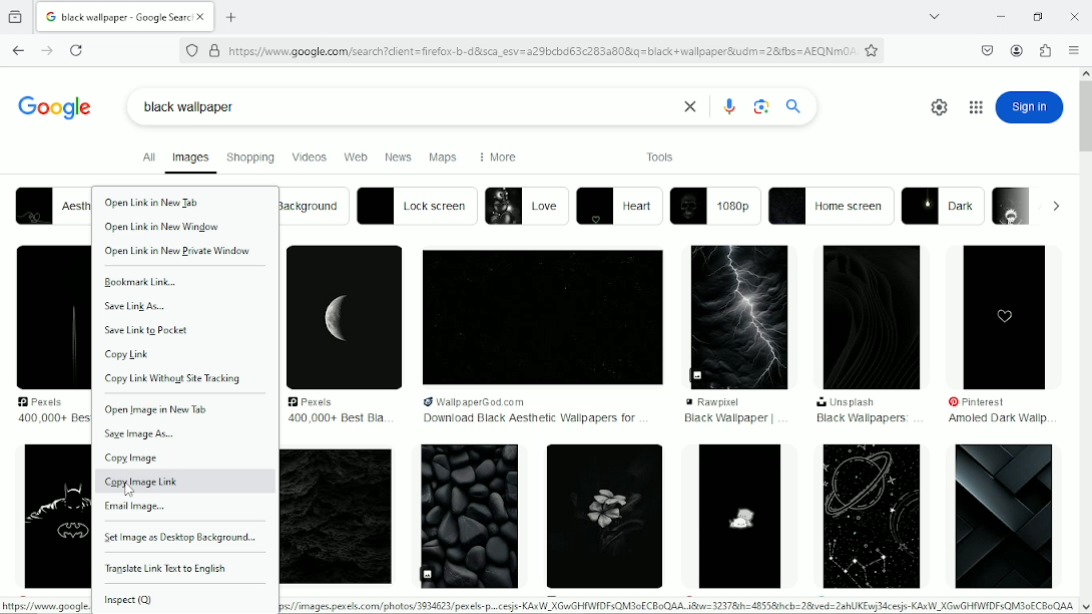  I want to click on search by voice, so click(730, 106).